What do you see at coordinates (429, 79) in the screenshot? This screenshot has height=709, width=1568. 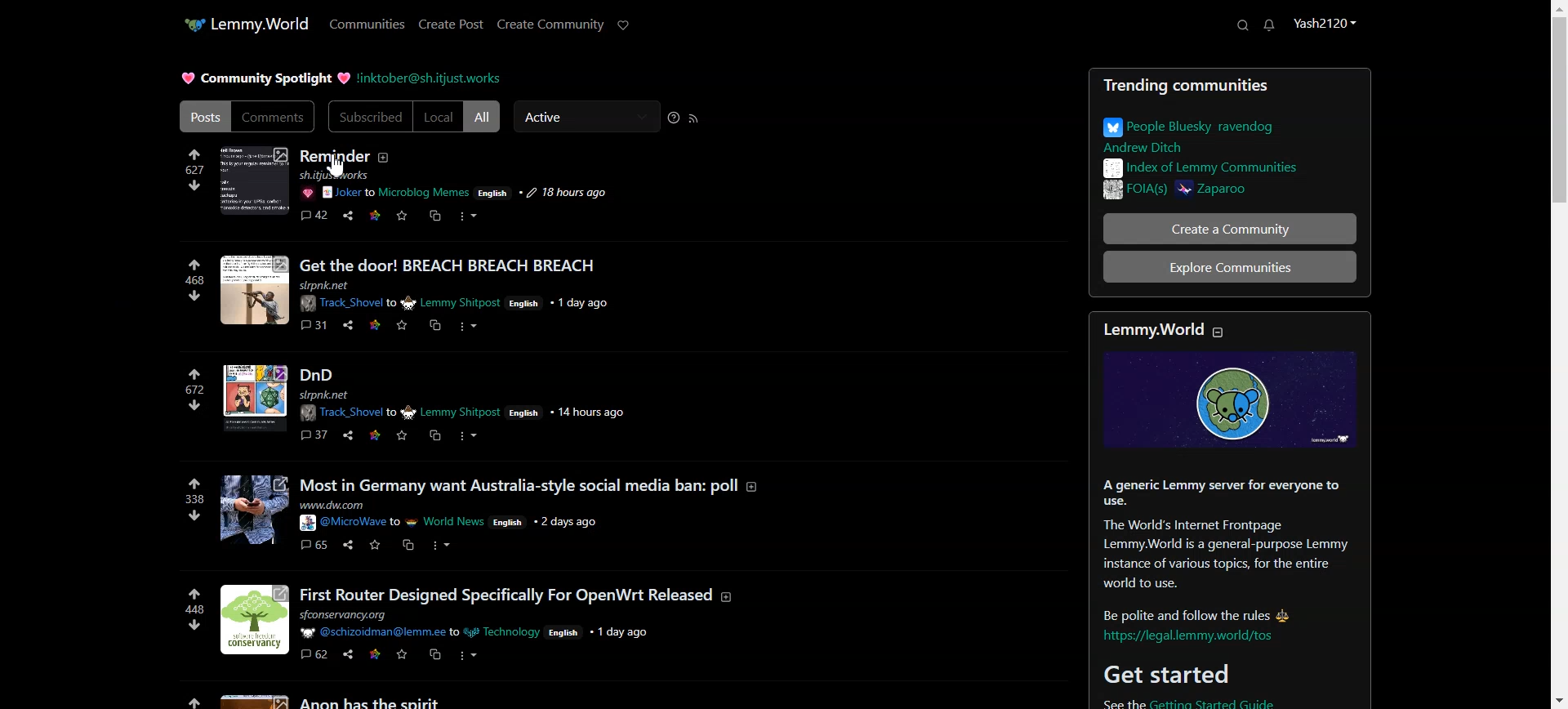 I see `Hyperlink` at bounding box center [429, 79].